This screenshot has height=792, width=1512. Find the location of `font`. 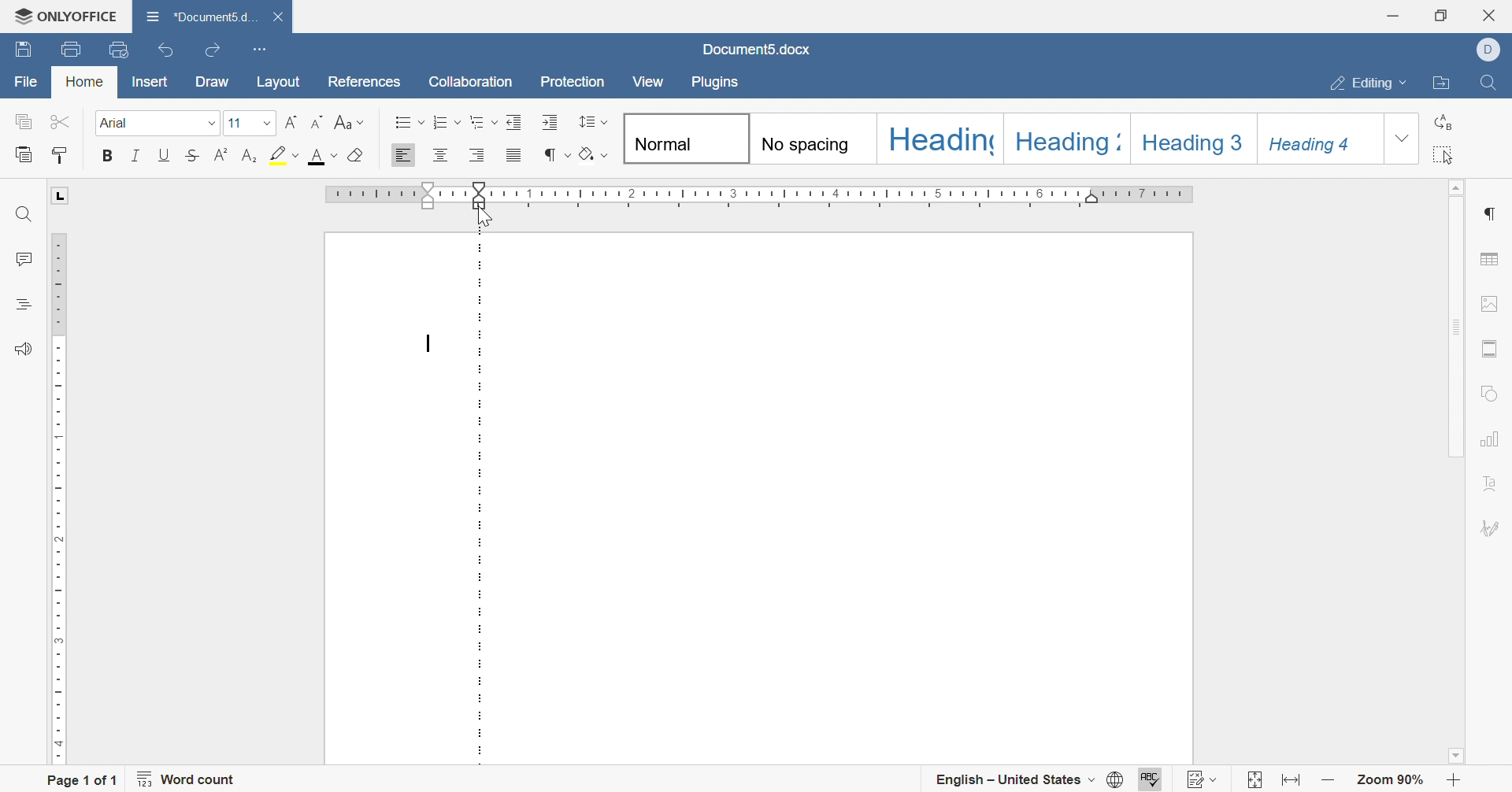

font is located at coordinates (118, 122).